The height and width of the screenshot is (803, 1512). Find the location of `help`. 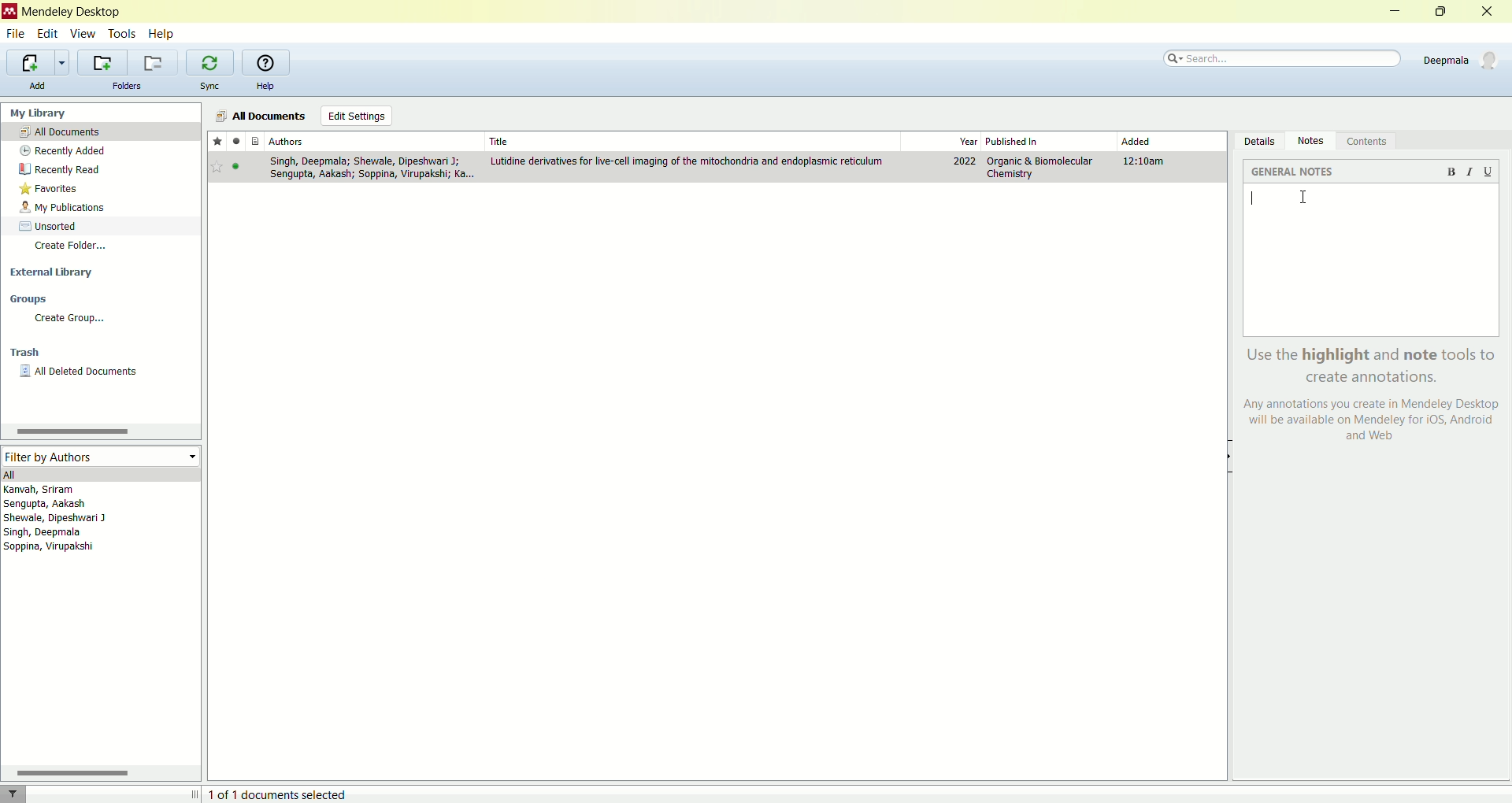

help is located at coordinates (164, 35).